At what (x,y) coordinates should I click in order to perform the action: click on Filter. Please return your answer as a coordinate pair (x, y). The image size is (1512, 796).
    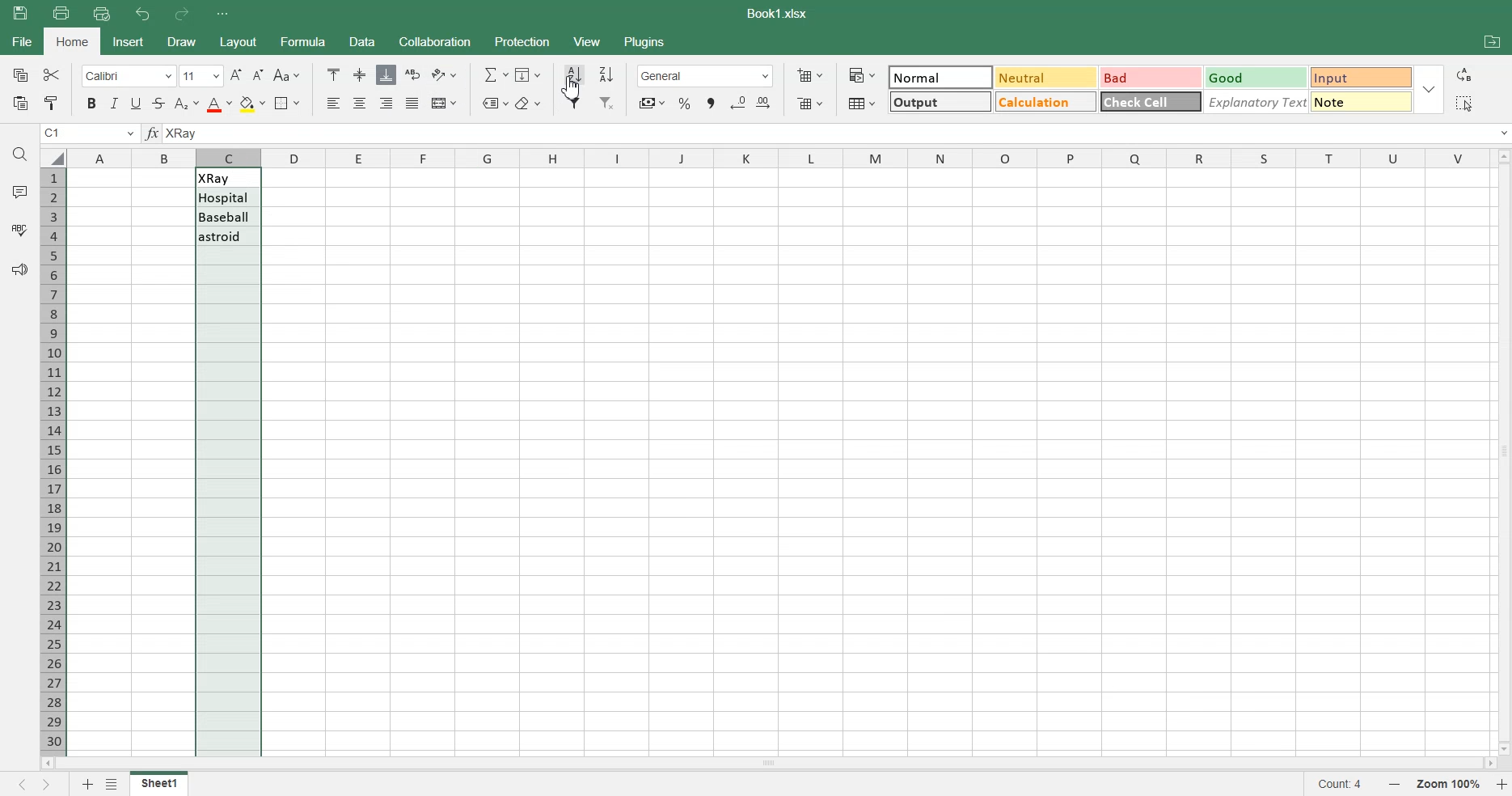
    Looking at the image, I should click on (575, 103).